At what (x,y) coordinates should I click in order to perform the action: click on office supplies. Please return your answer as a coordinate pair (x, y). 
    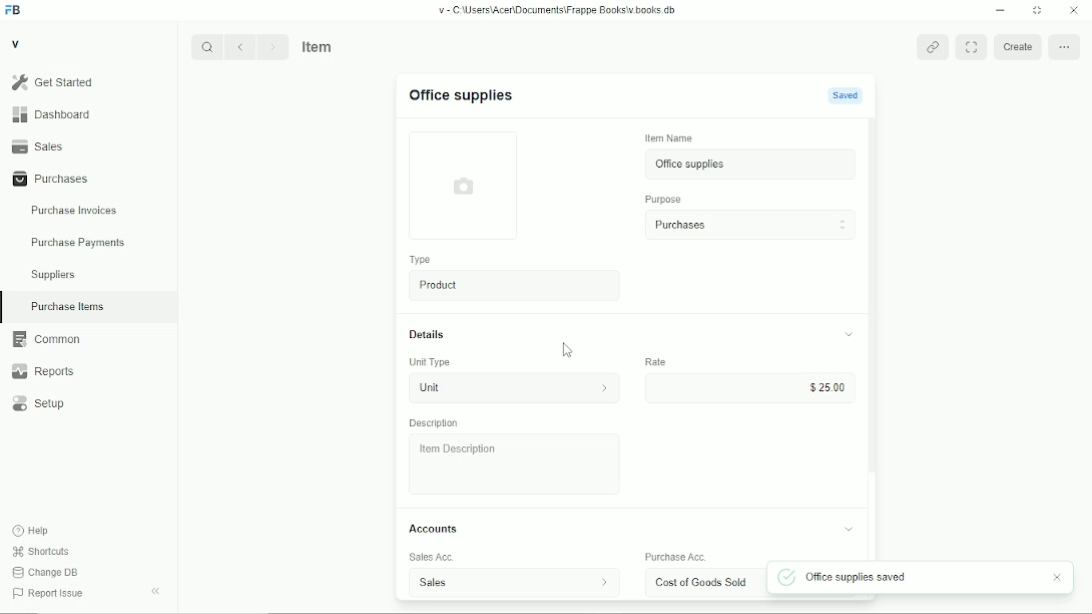
    Looking at the image, I should click on (752, 164).